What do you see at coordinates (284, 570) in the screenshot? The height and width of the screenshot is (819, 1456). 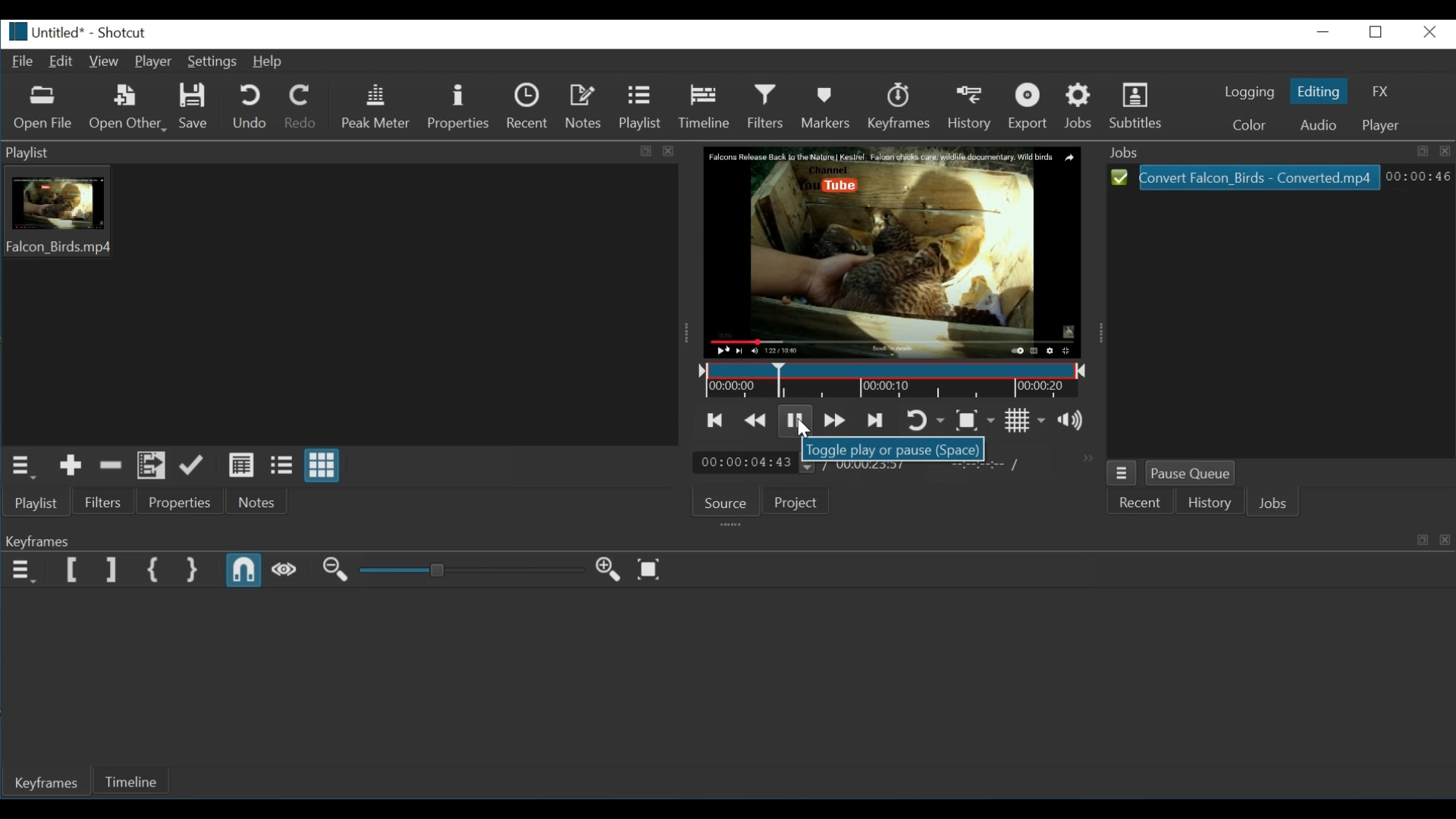 I see `Scrub while dragging` at bounding box center [284, 570].